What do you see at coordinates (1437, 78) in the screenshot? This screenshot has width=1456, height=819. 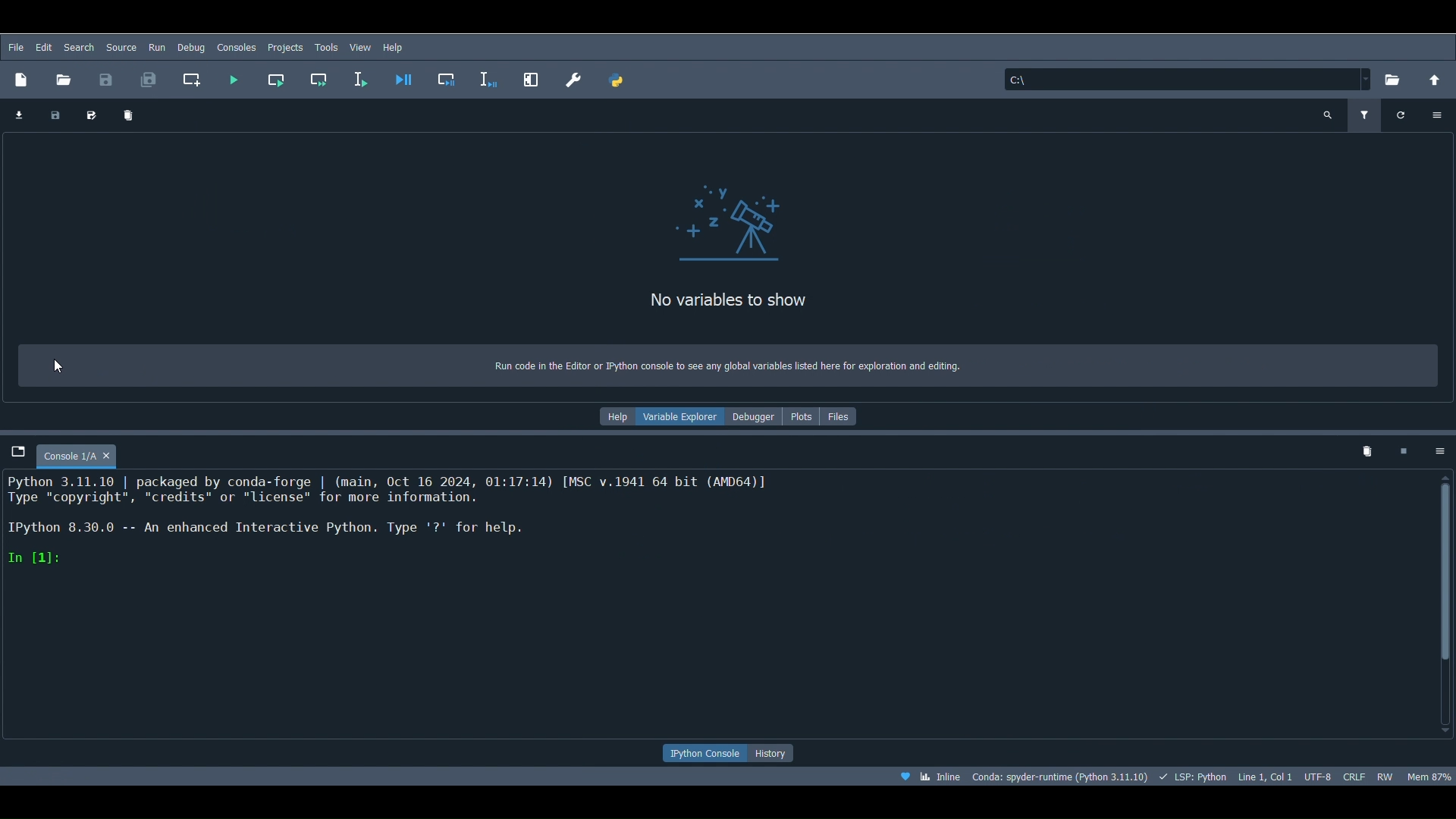 I see `Change to parent directory` at bounding box center [1437, 78].